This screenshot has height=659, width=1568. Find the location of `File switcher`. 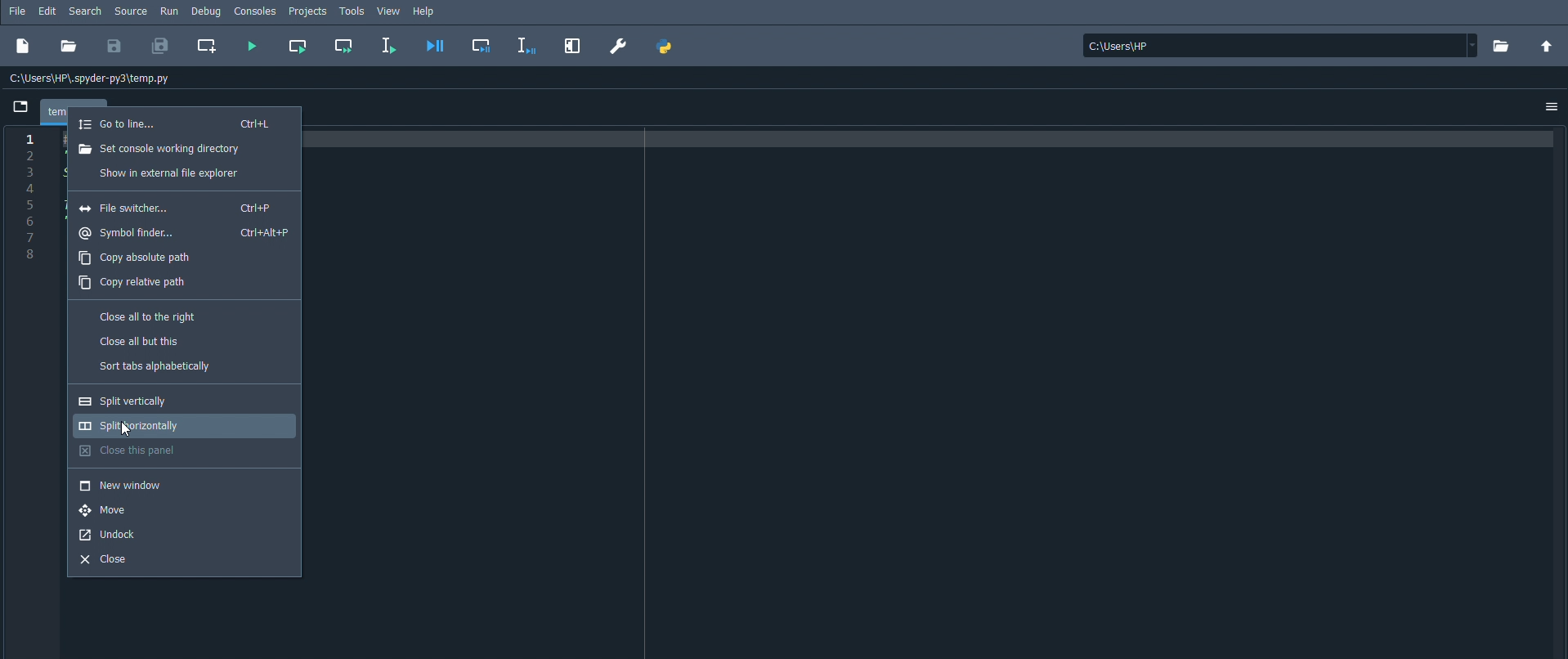

File switcher is located at coordinates (181, 208).